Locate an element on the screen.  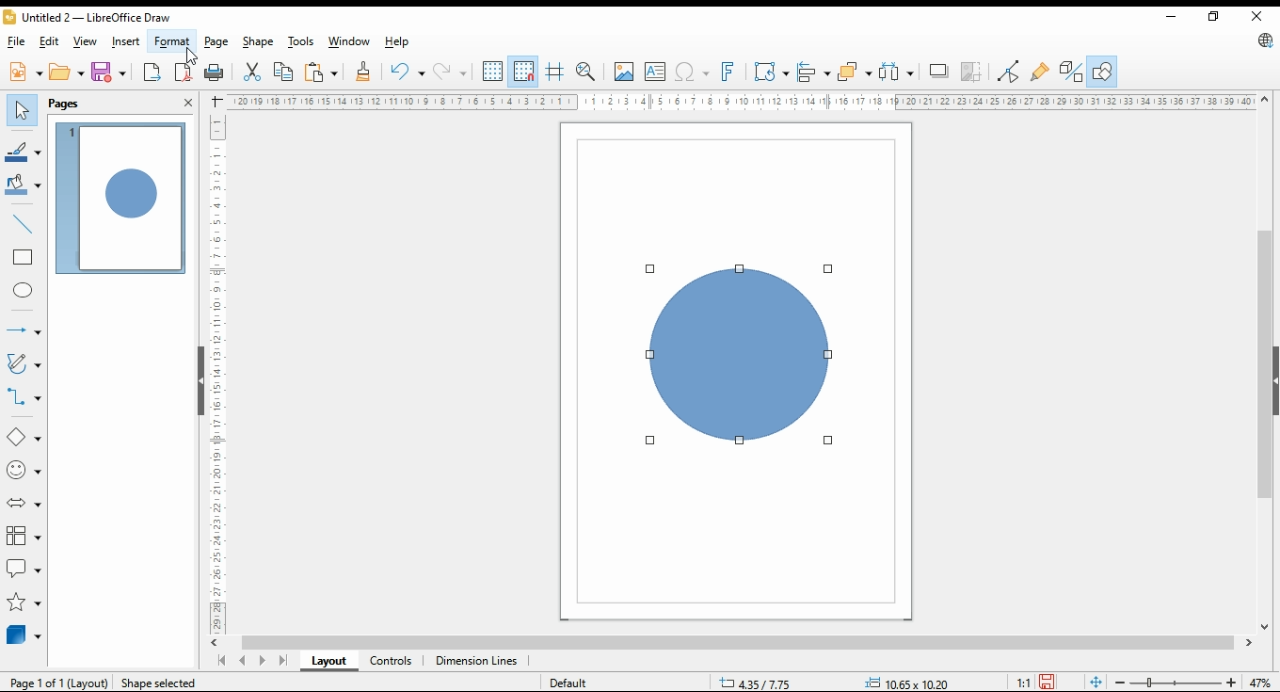
crop is located at coordinates (972, 72).